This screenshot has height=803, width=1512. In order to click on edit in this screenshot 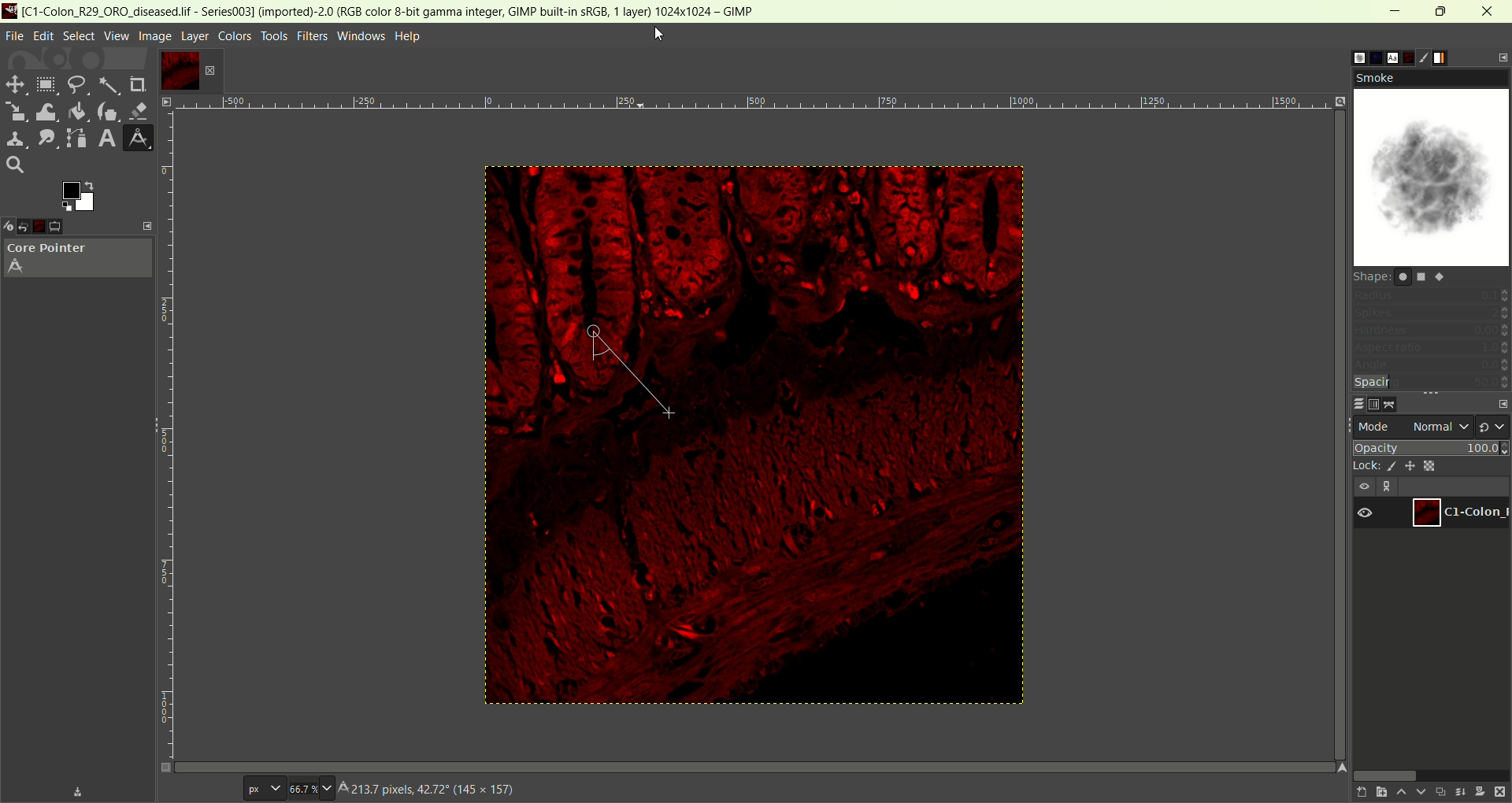, I will do `click(44, 36)`.